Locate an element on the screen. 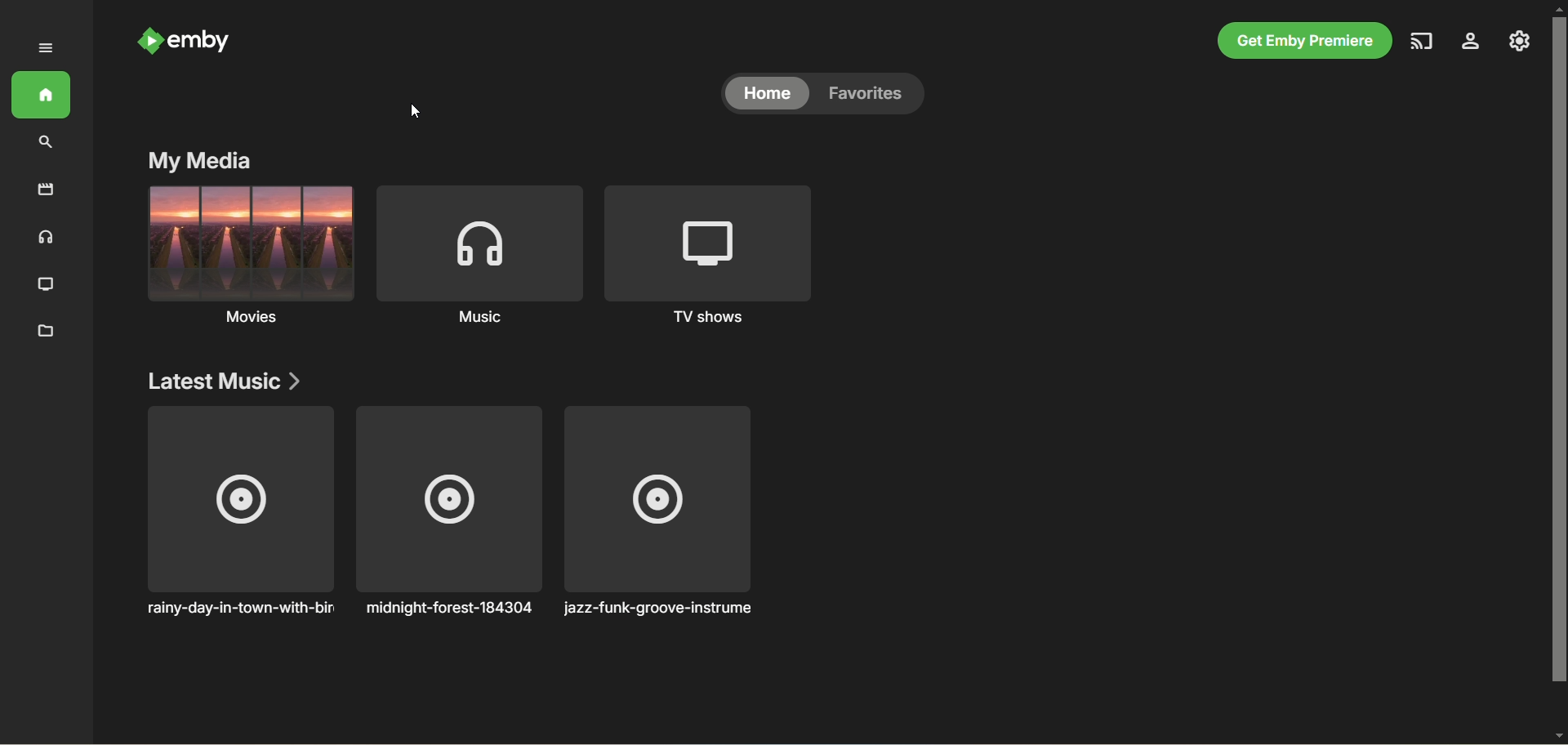 This screenshot has width=1568, height=745. movies is located at coordinates (247, 257).